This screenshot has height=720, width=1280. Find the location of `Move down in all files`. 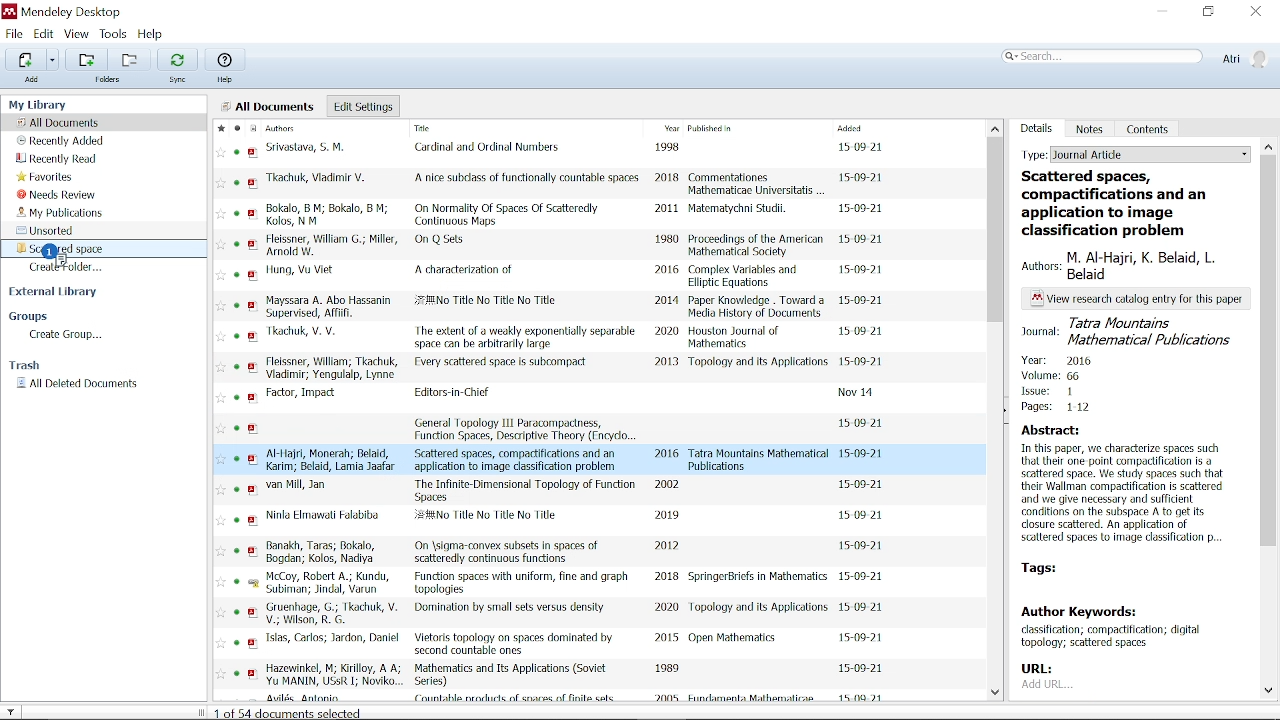

Move down in all files is located at coordinates (998, 695).